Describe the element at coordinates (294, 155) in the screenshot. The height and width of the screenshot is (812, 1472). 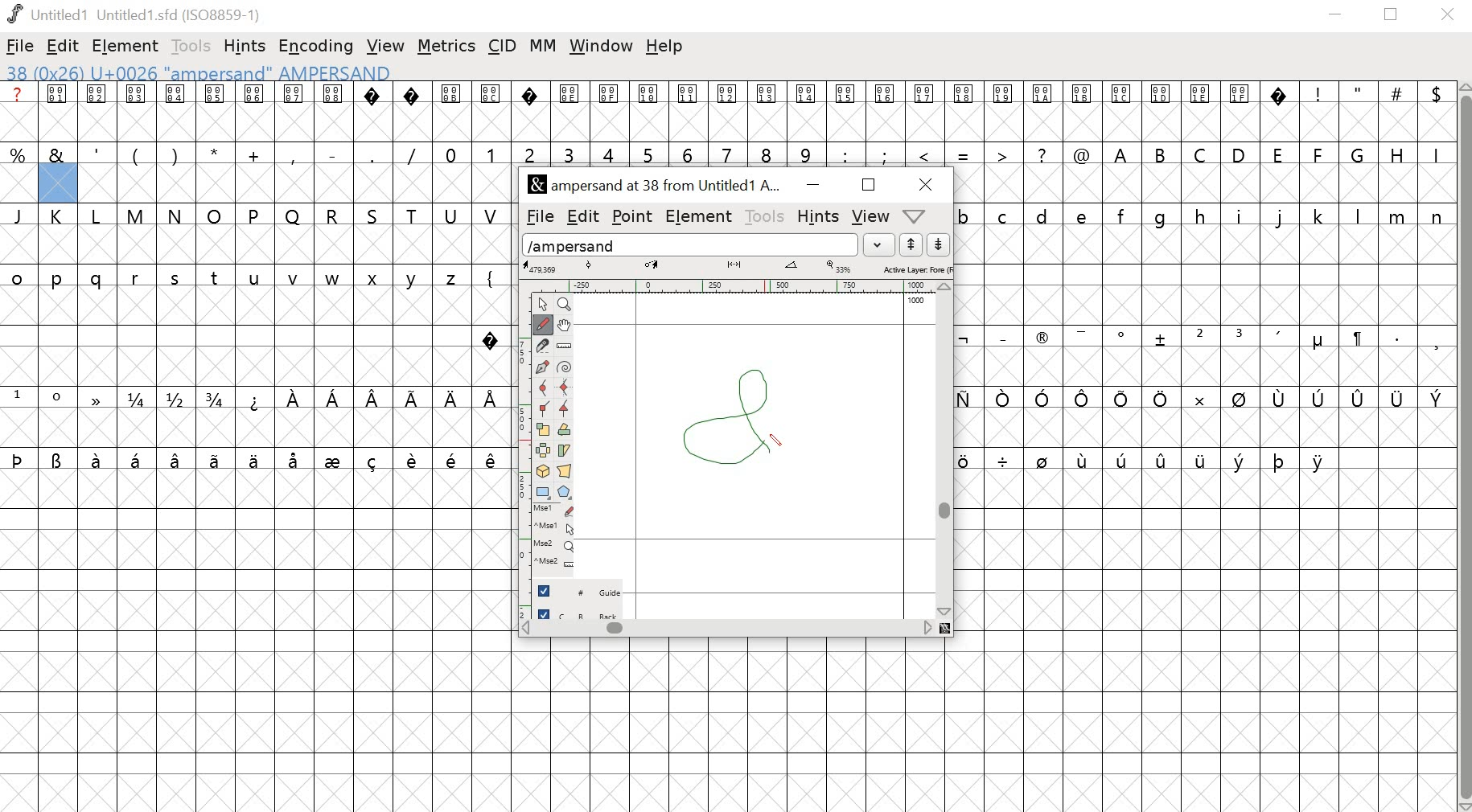
I see `,` at that location.